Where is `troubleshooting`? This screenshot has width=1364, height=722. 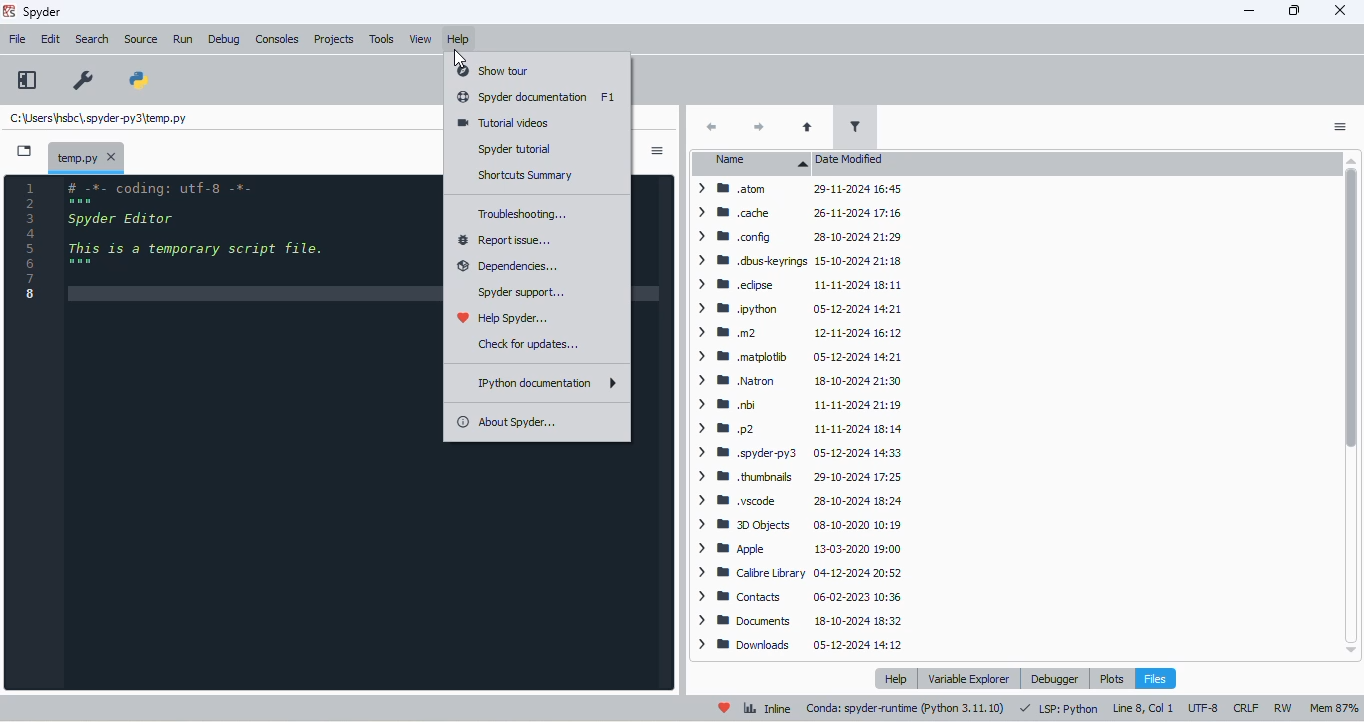
troubleshooting is located at coordinates (523, 214).